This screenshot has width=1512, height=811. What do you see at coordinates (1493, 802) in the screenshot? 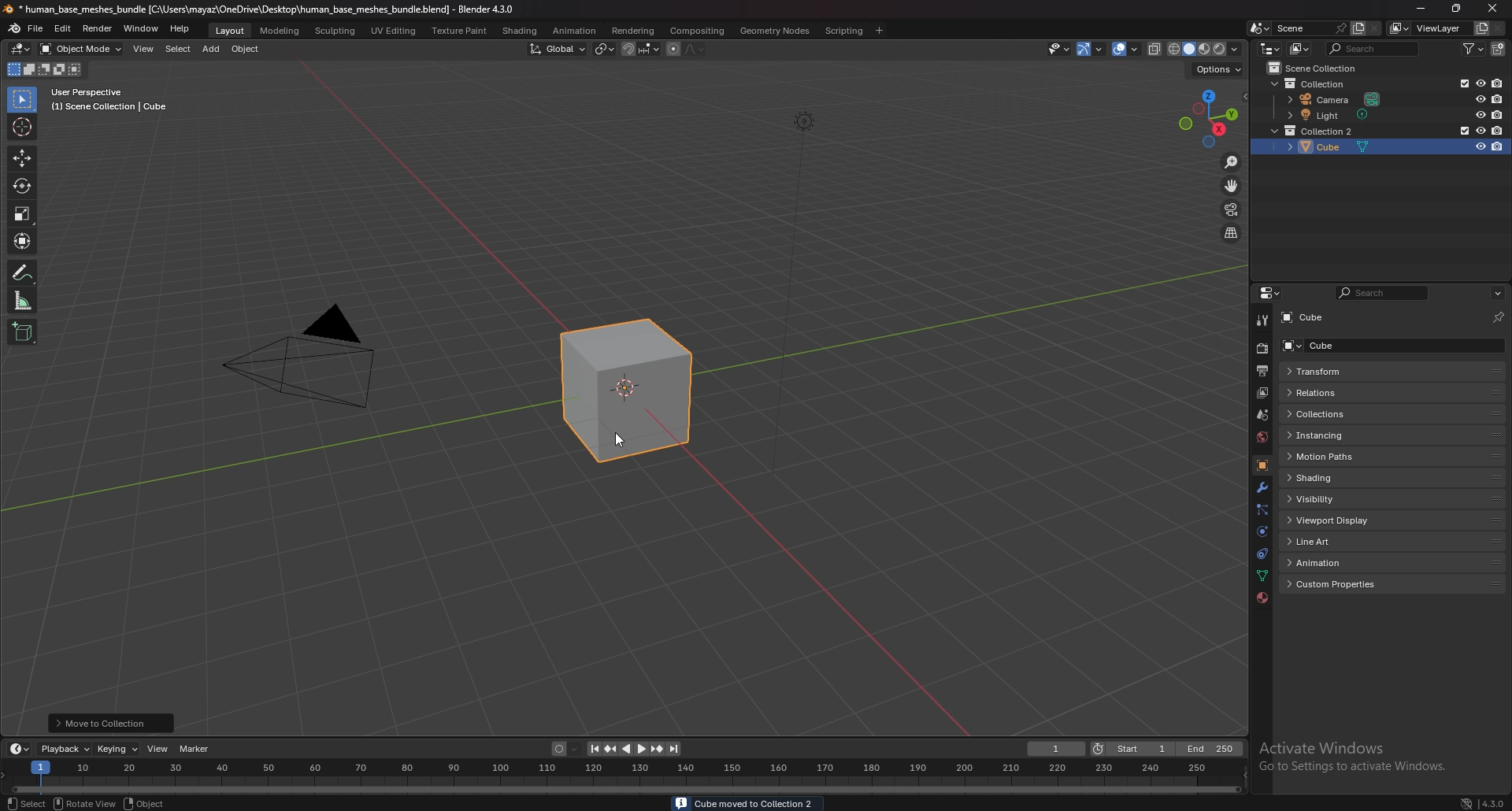
I see `version` at bounding box center [1493, 802].